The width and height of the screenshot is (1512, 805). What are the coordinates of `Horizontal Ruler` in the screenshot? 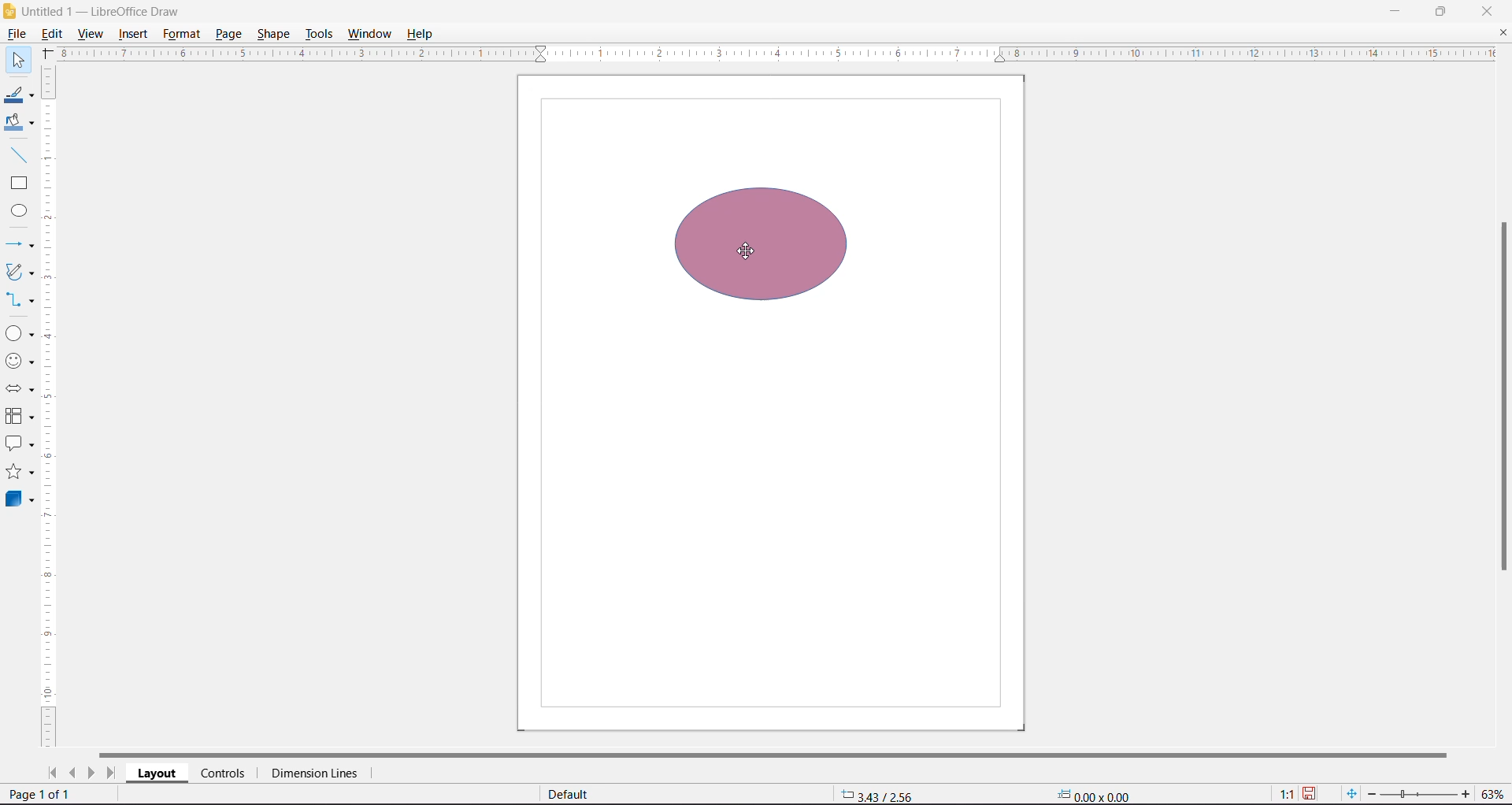 It's located at (769, 54).